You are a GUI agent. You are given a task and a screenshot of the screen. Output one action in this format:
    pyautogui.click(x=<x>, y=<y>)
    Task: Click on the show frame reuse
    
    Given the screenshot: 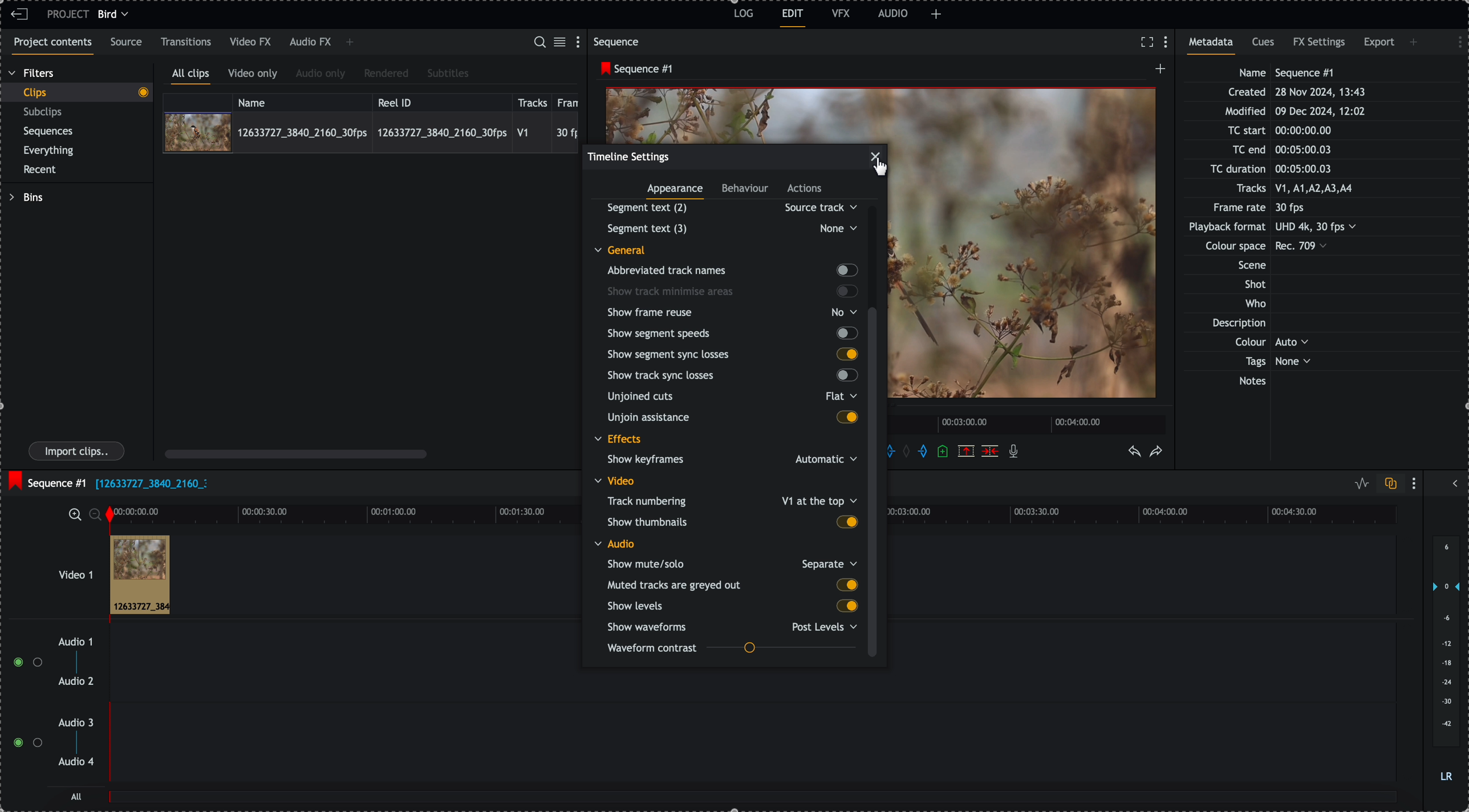 What is the action you would take?
    pyautogui.click(x=734, y=312)
    